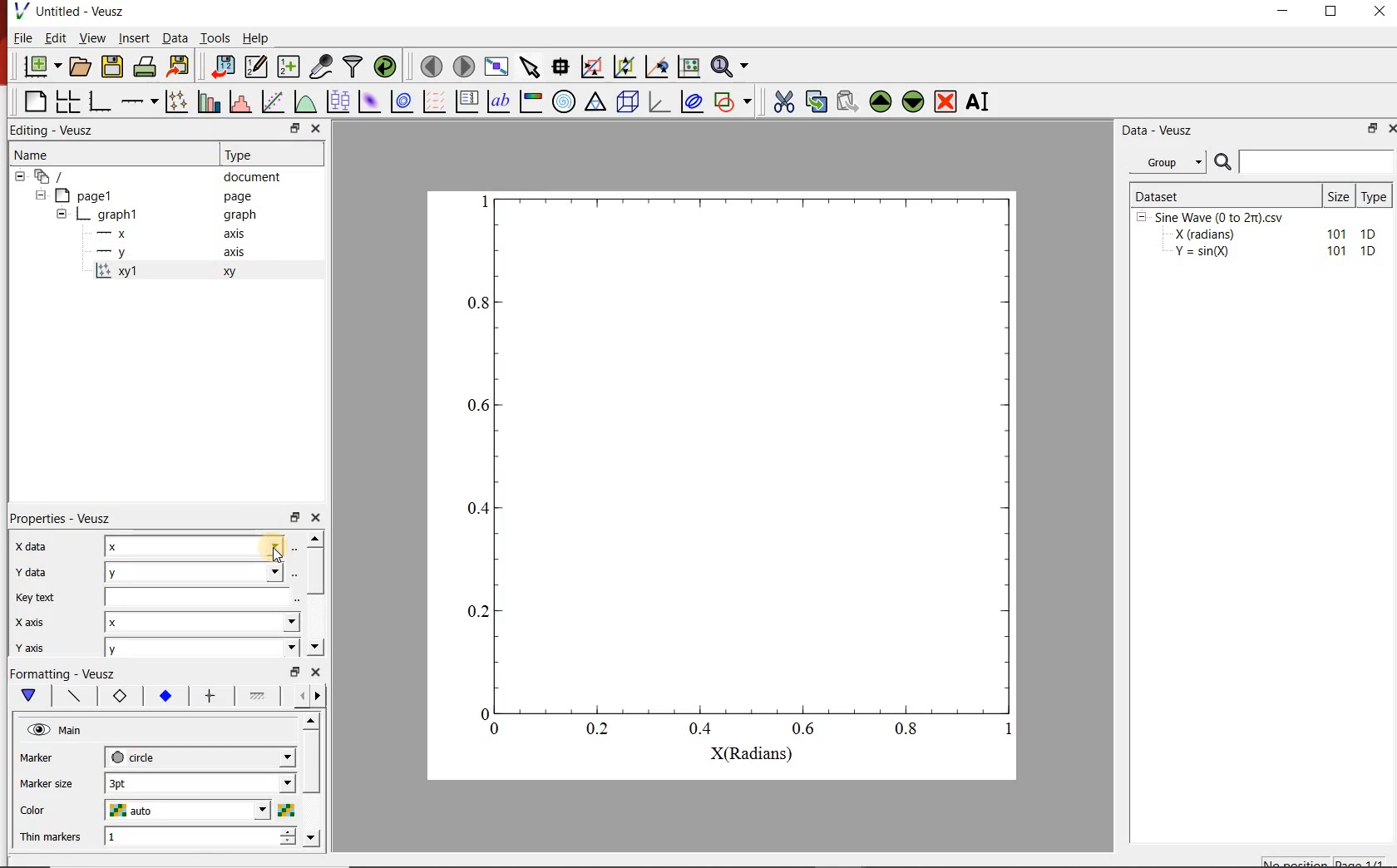 This screenshot has height=868, width=1397. What do you see at coordinates (71, 694) in the screenshot?
I see `options` at bounding box center [71, 694].